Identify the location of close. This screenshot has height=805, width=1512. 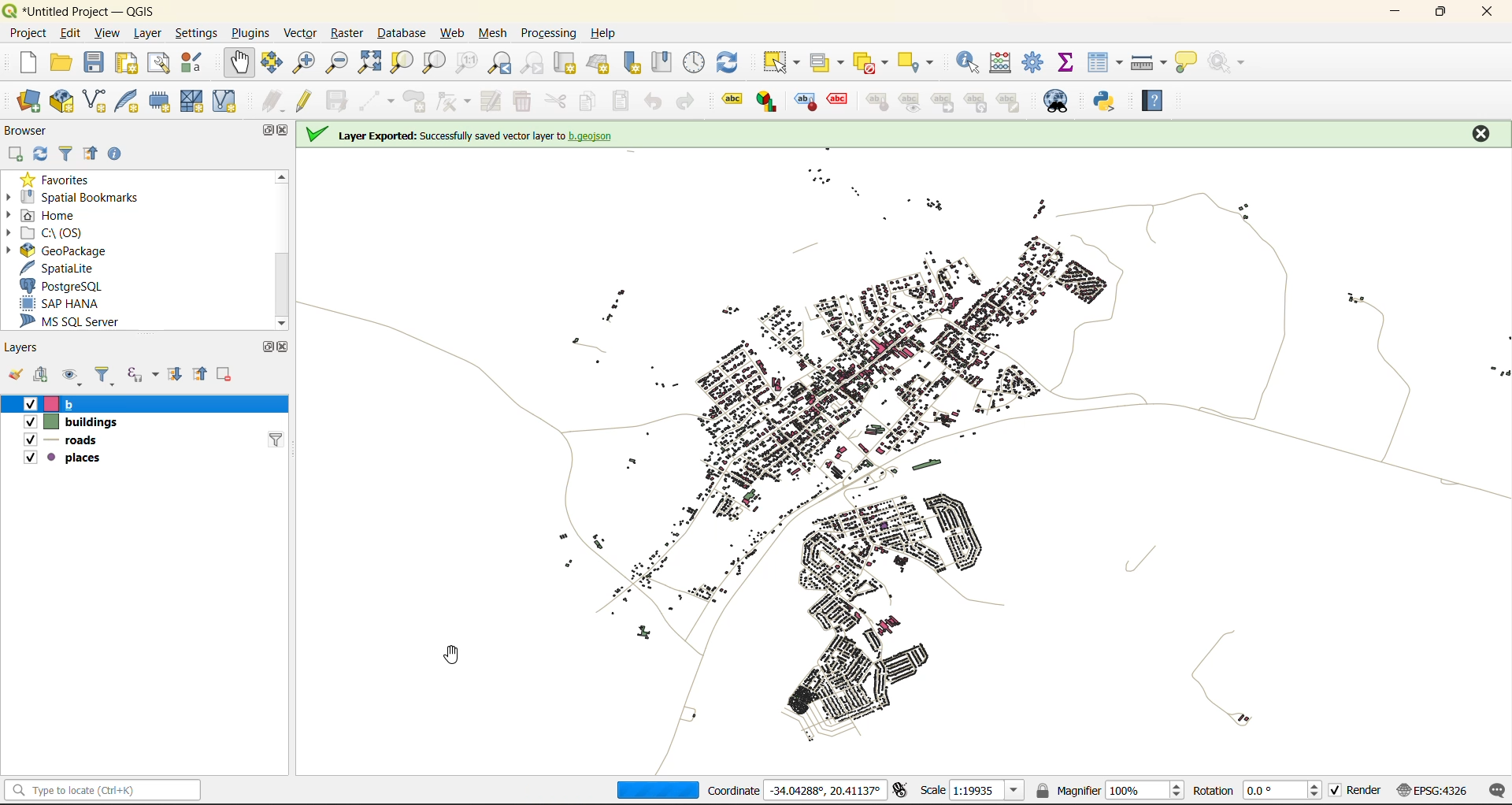
(1483, 134).